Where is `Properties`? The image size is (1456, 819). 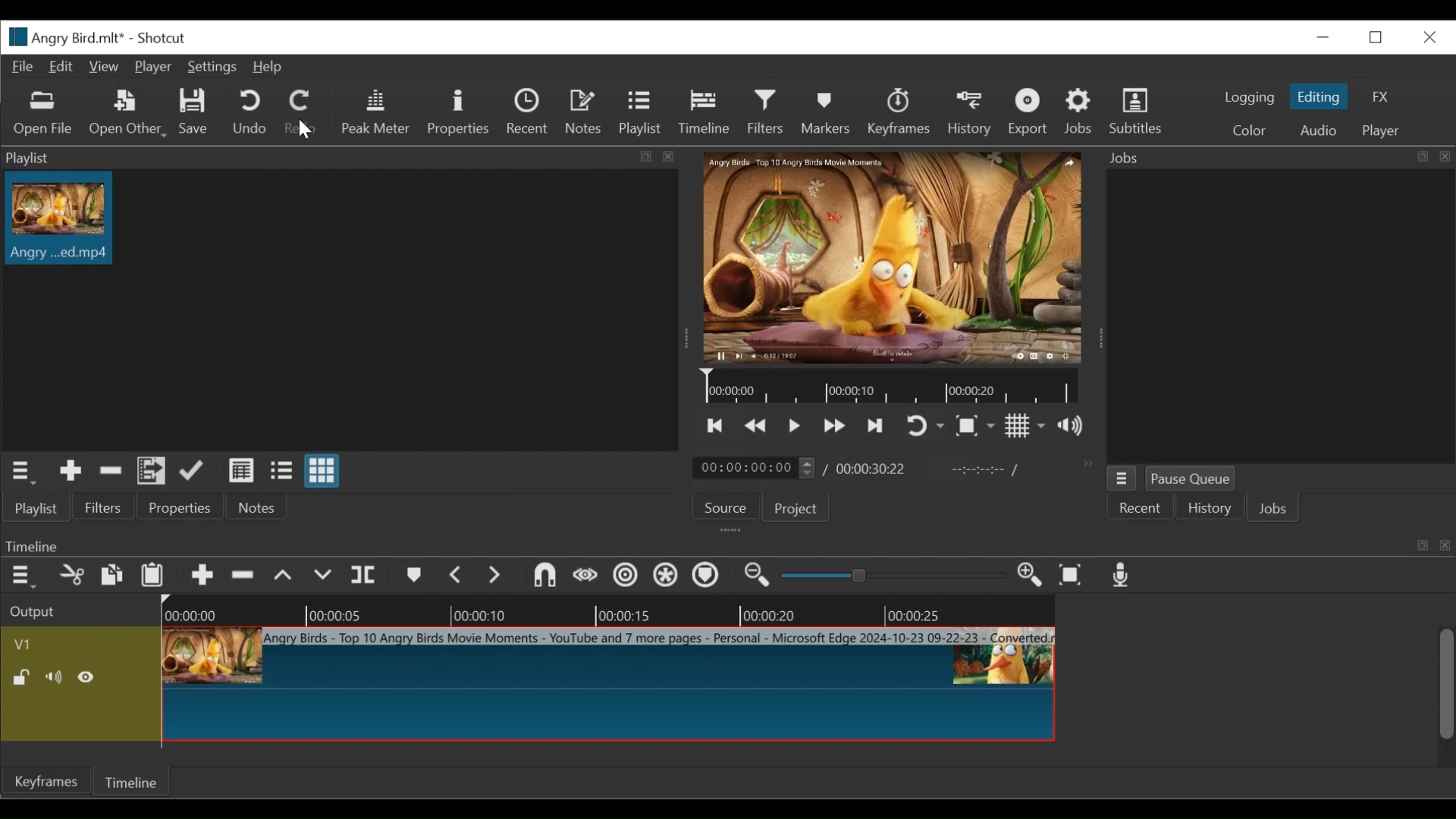
Properties is located at coordinates (176, 506).